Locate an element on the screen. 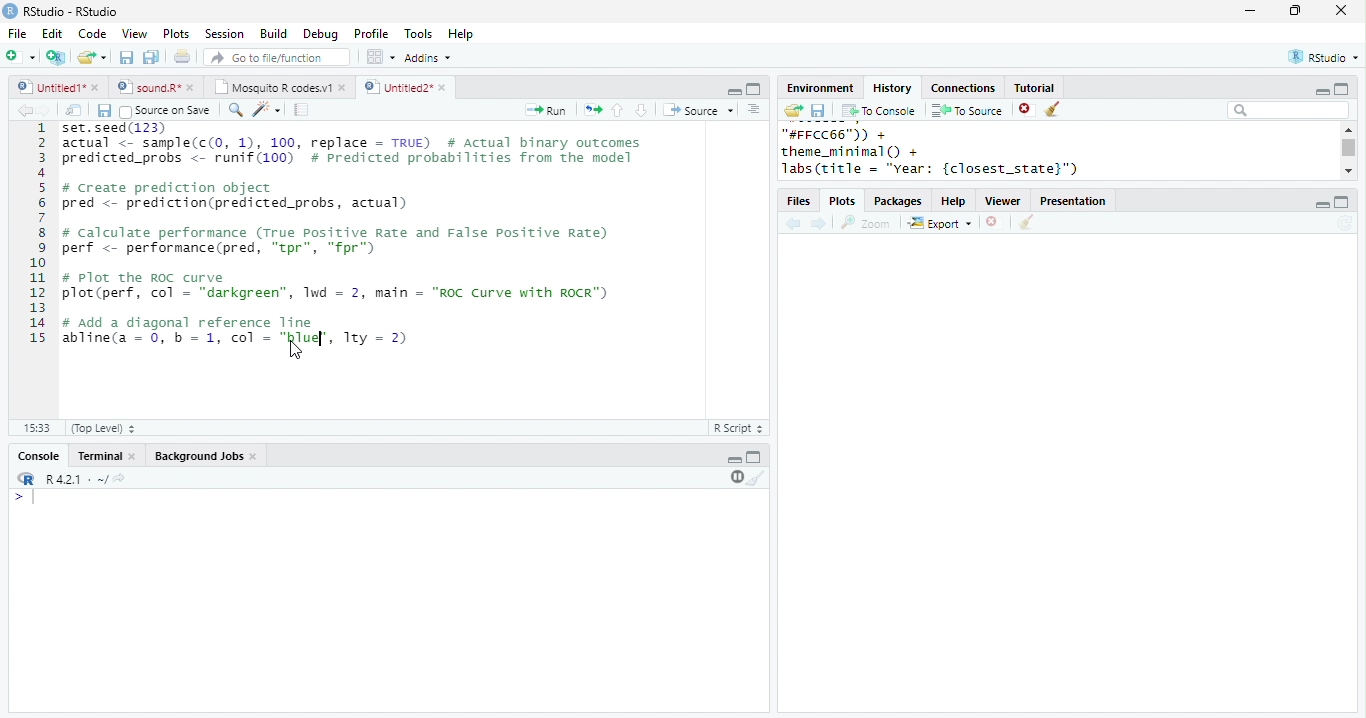 The width and height of the screenshot is (1366, 718). close file is located at coordinates (995, 223).